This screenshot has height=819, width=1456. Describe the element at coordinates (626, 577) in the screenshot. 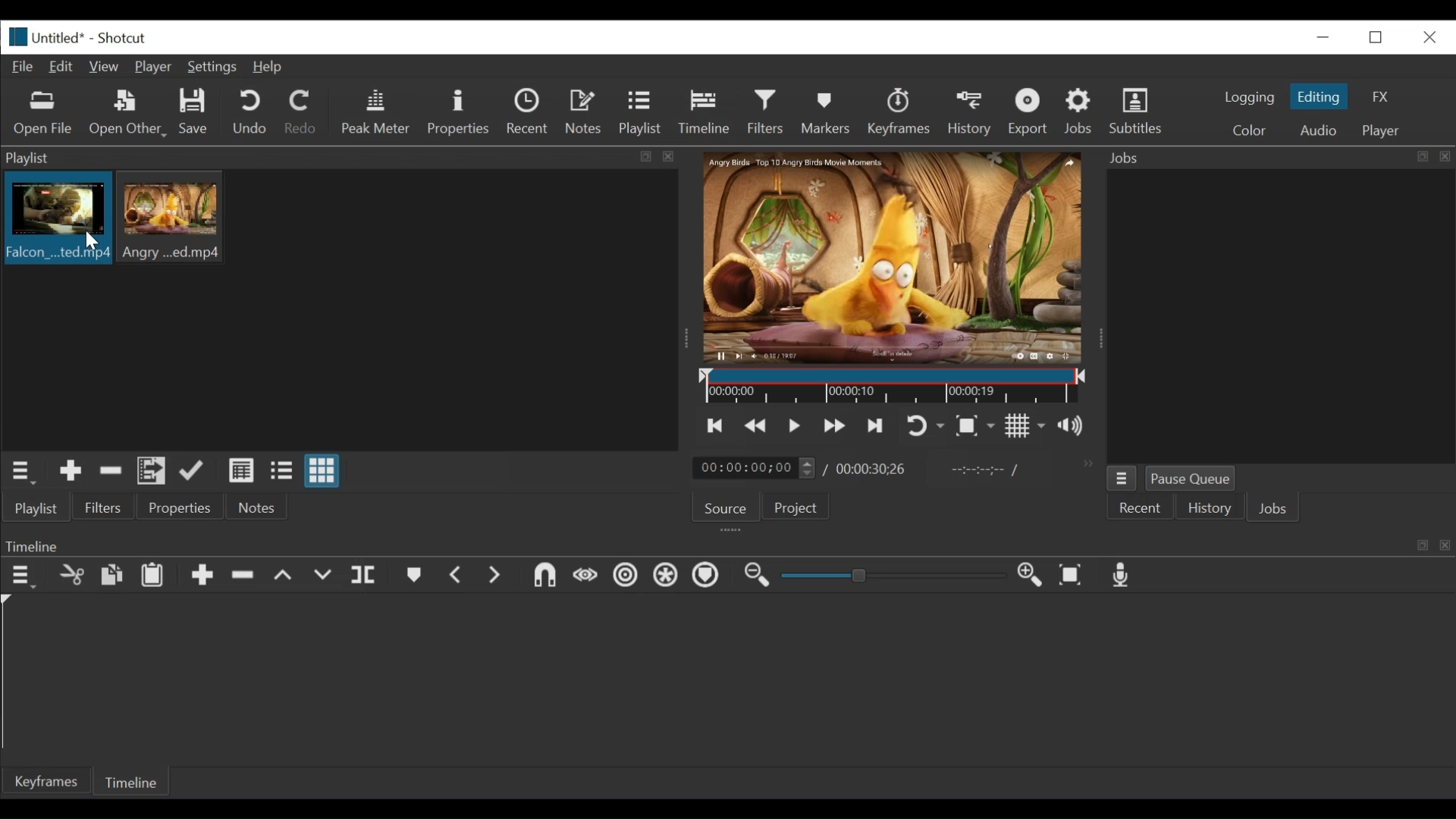

I see `Ripple ` at that location.